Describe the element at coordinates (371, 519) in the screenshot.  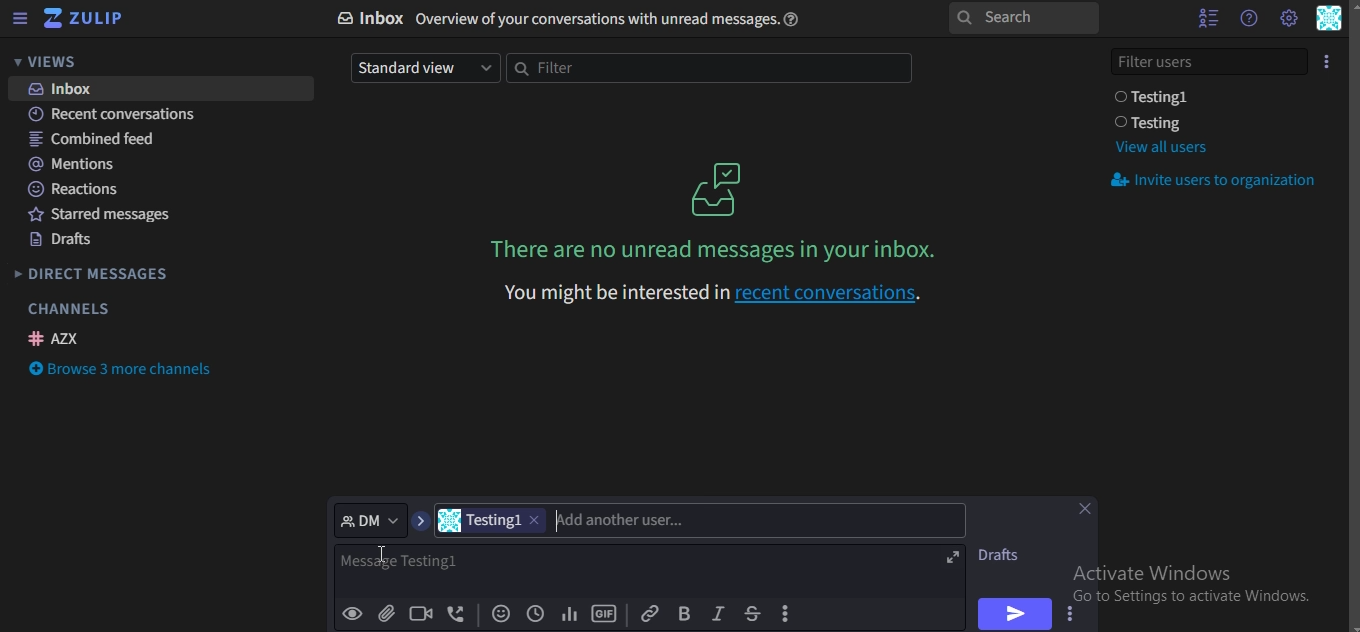
I see `DM` at that location.